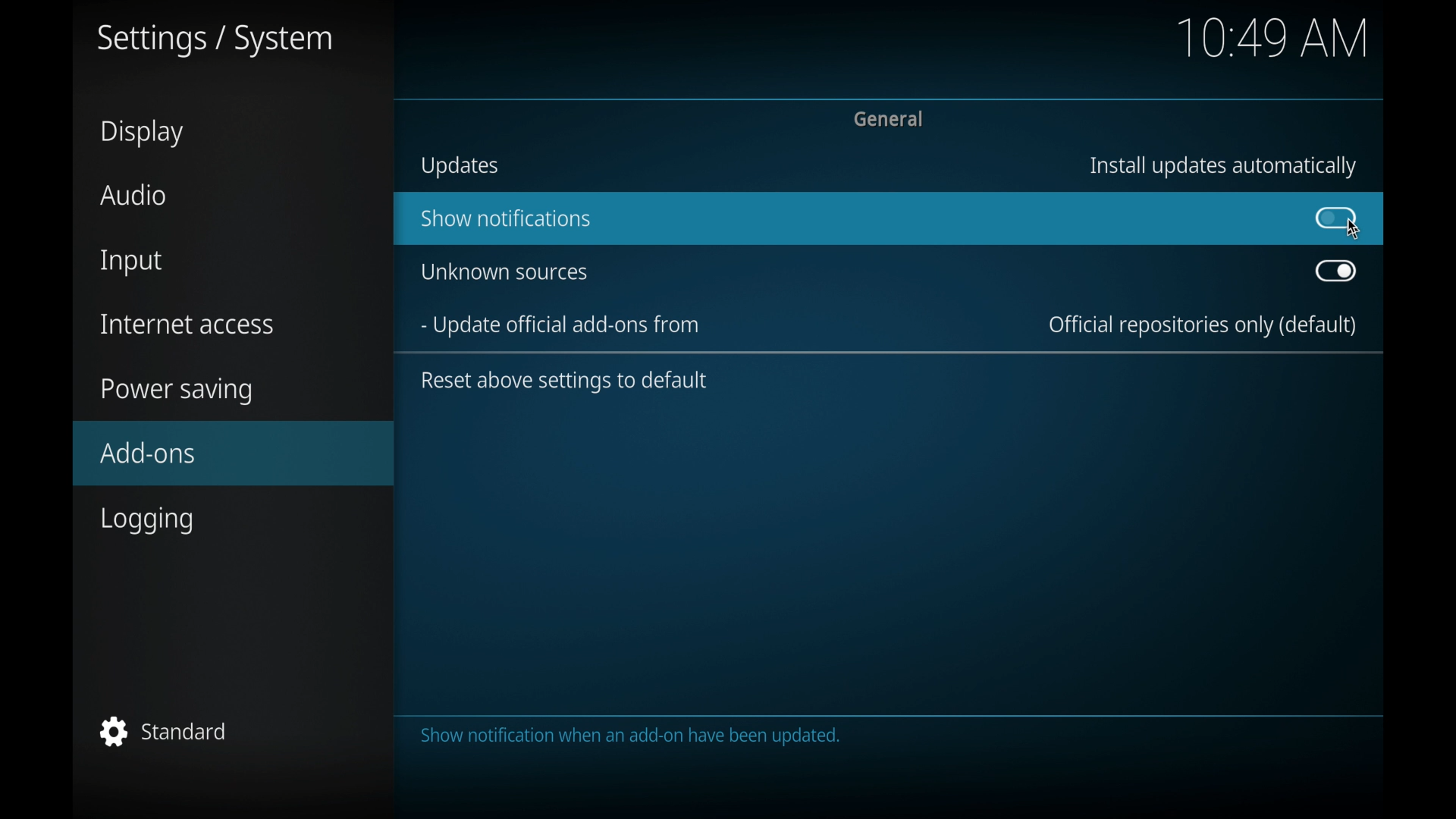 The width and height of the screenshot is (1456, 819). I want to click on official repositories only, so click(1203, 327).